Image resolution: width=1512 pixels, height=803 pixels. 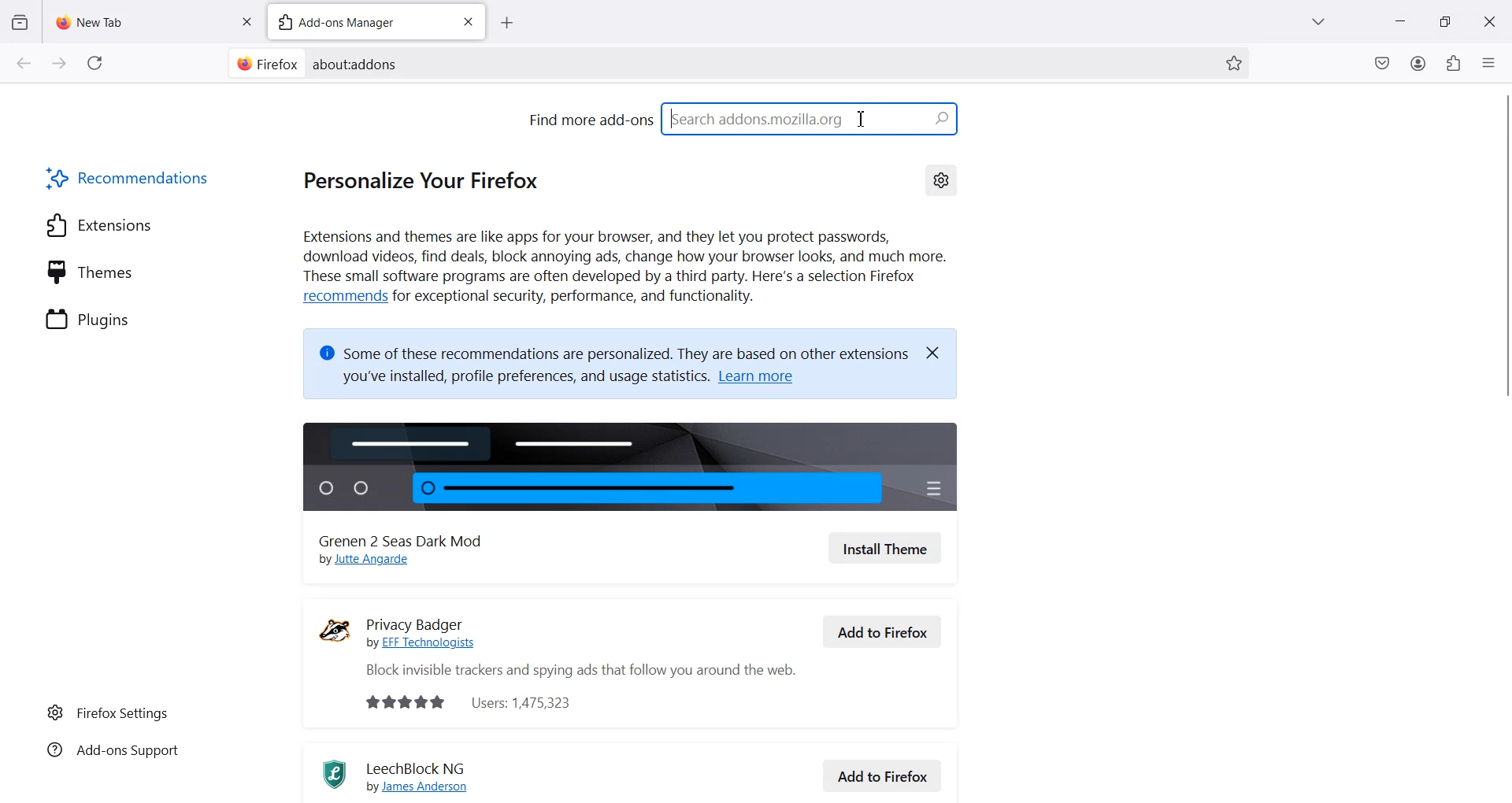 I want to click on Firefox Settings, so click(x=108, y=712).